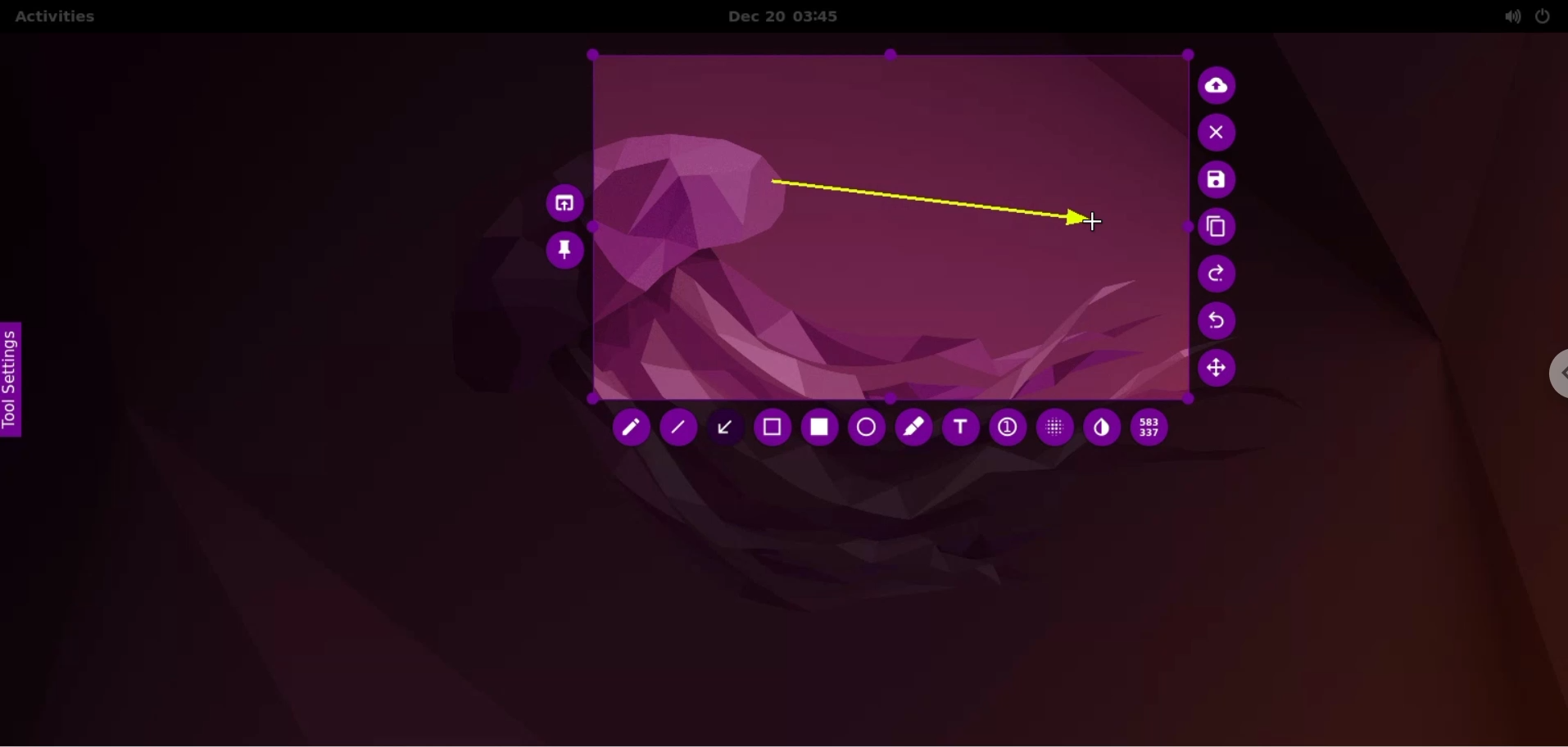 The image size is (1568, 747). Describe the element at coordinates (1155, 428) in the screenshot. I see `x and y coordinates value` at that location.